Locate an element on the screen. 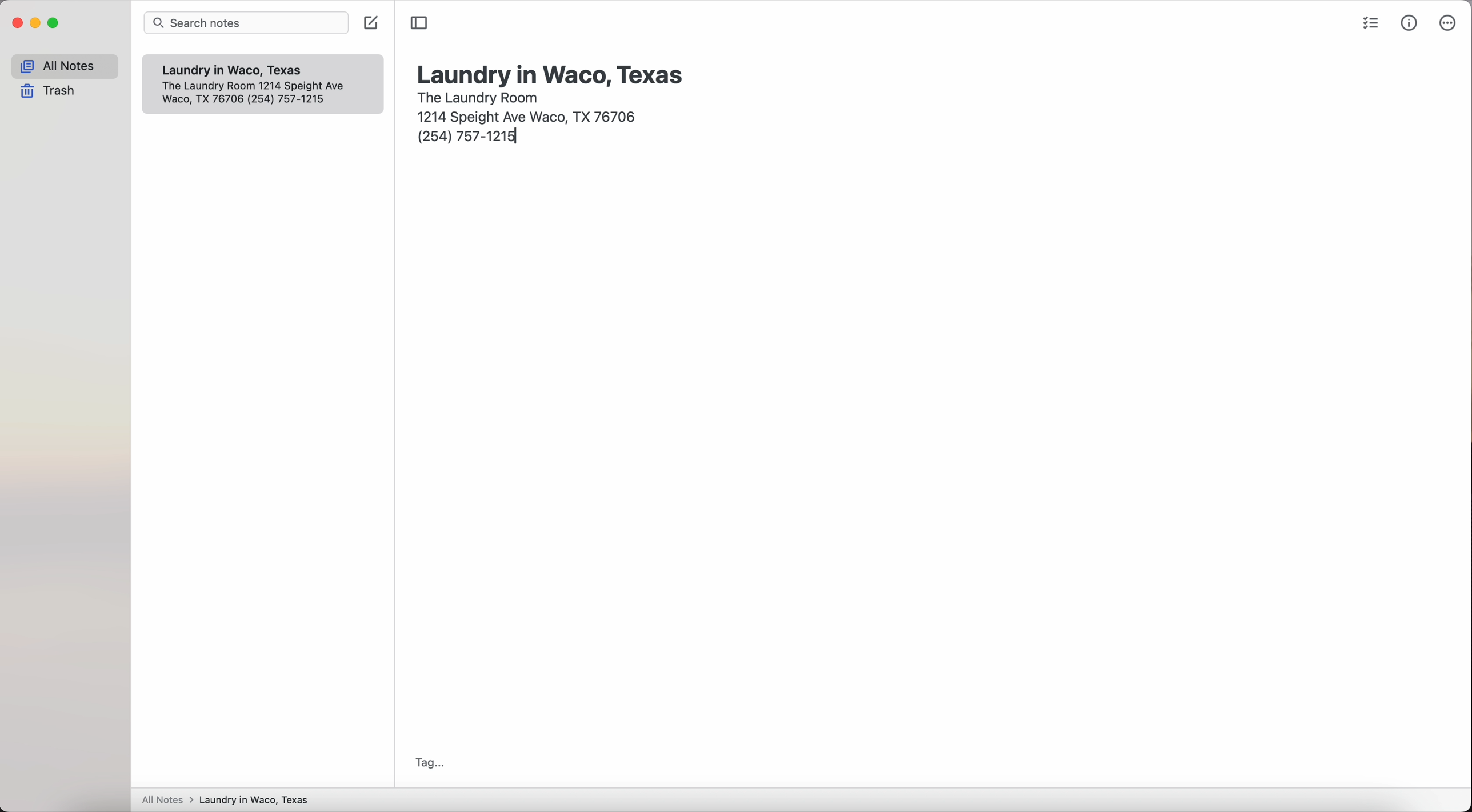 The height and width of the screenshot is (812, 1472). click on create note is located at coordinates (373, 23).